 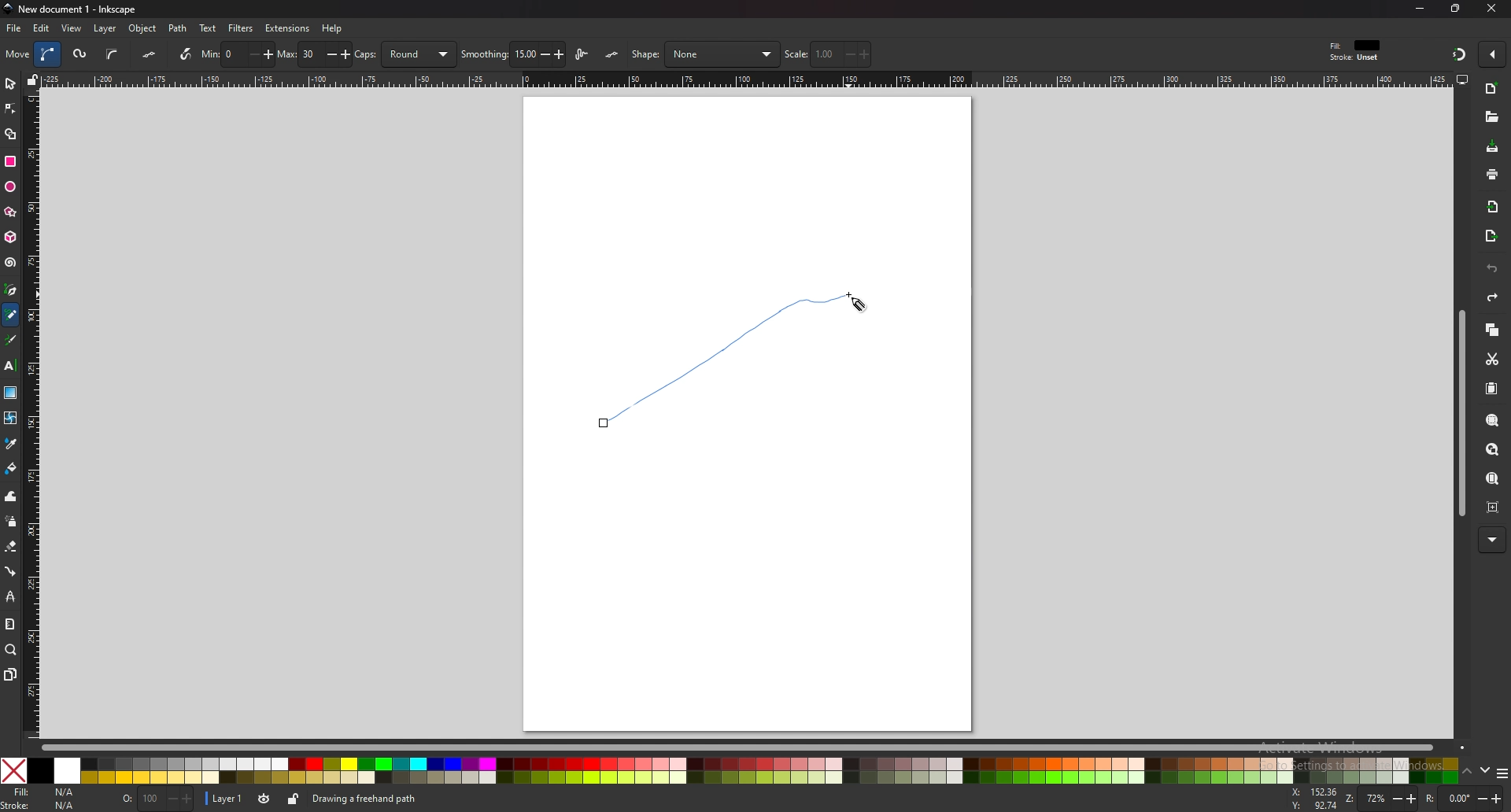 What do you see at coordinates (42, 28) in the screenshot?
I see `edit` at bounding box center [42, 28].